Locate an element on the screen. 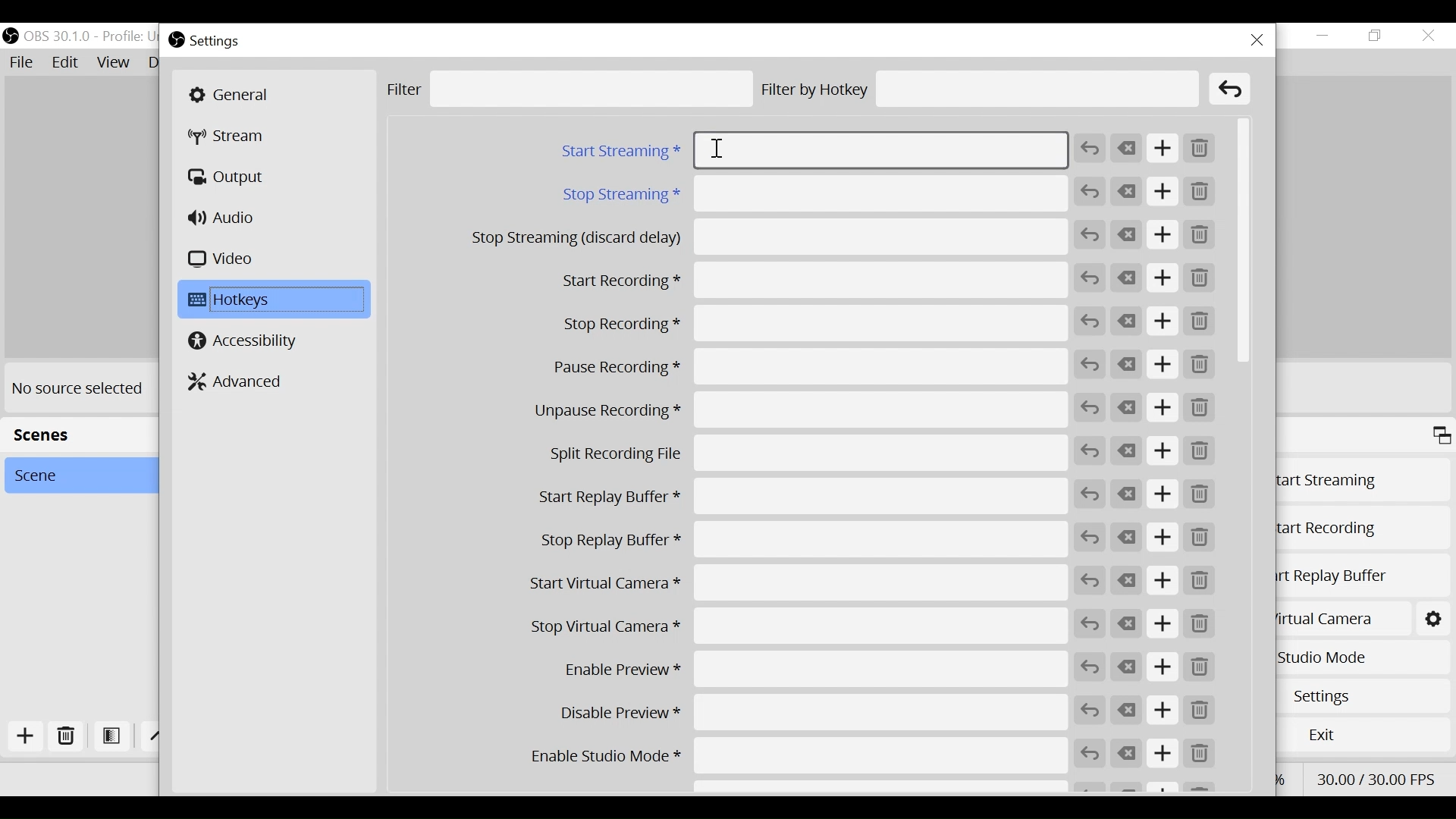 This screenshot has width=1456, height=819. Hotkeys is located at coordinates (275, 299).